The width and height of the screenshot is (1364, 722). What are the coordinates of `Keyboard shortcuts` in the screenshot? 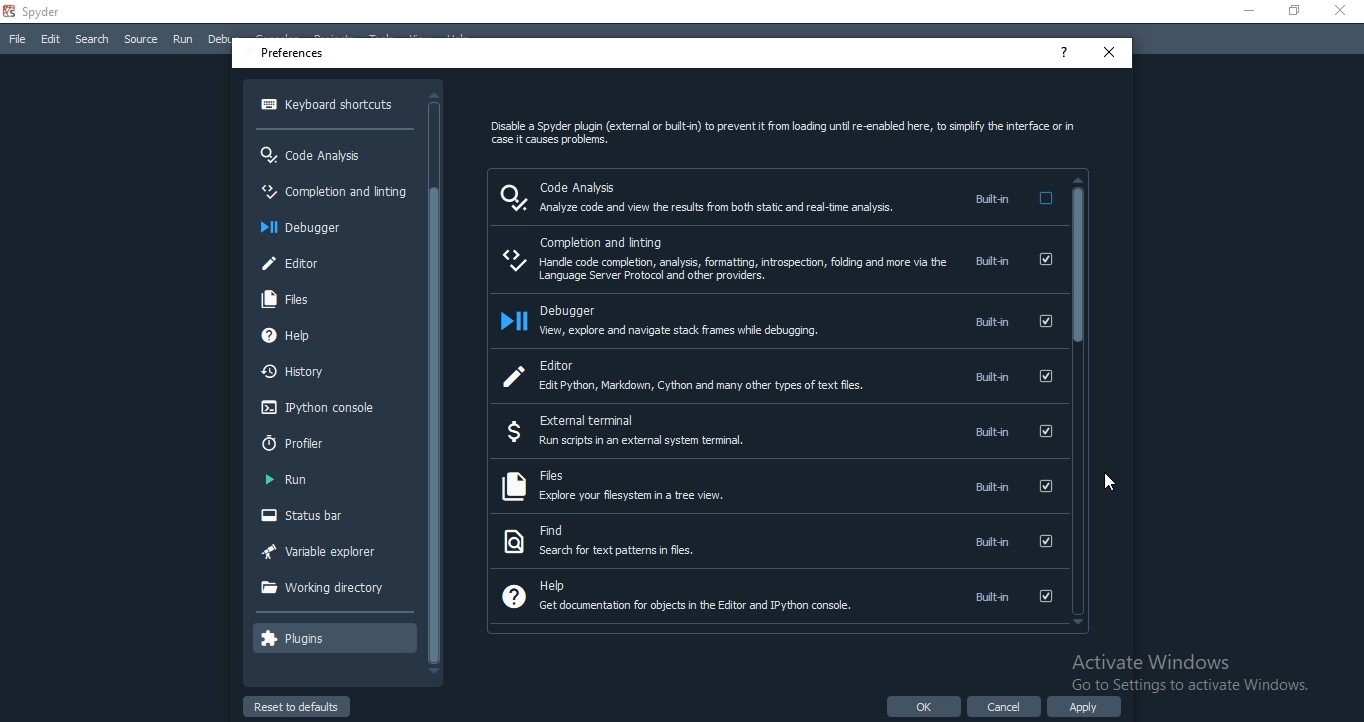 It's located at (330, 105).